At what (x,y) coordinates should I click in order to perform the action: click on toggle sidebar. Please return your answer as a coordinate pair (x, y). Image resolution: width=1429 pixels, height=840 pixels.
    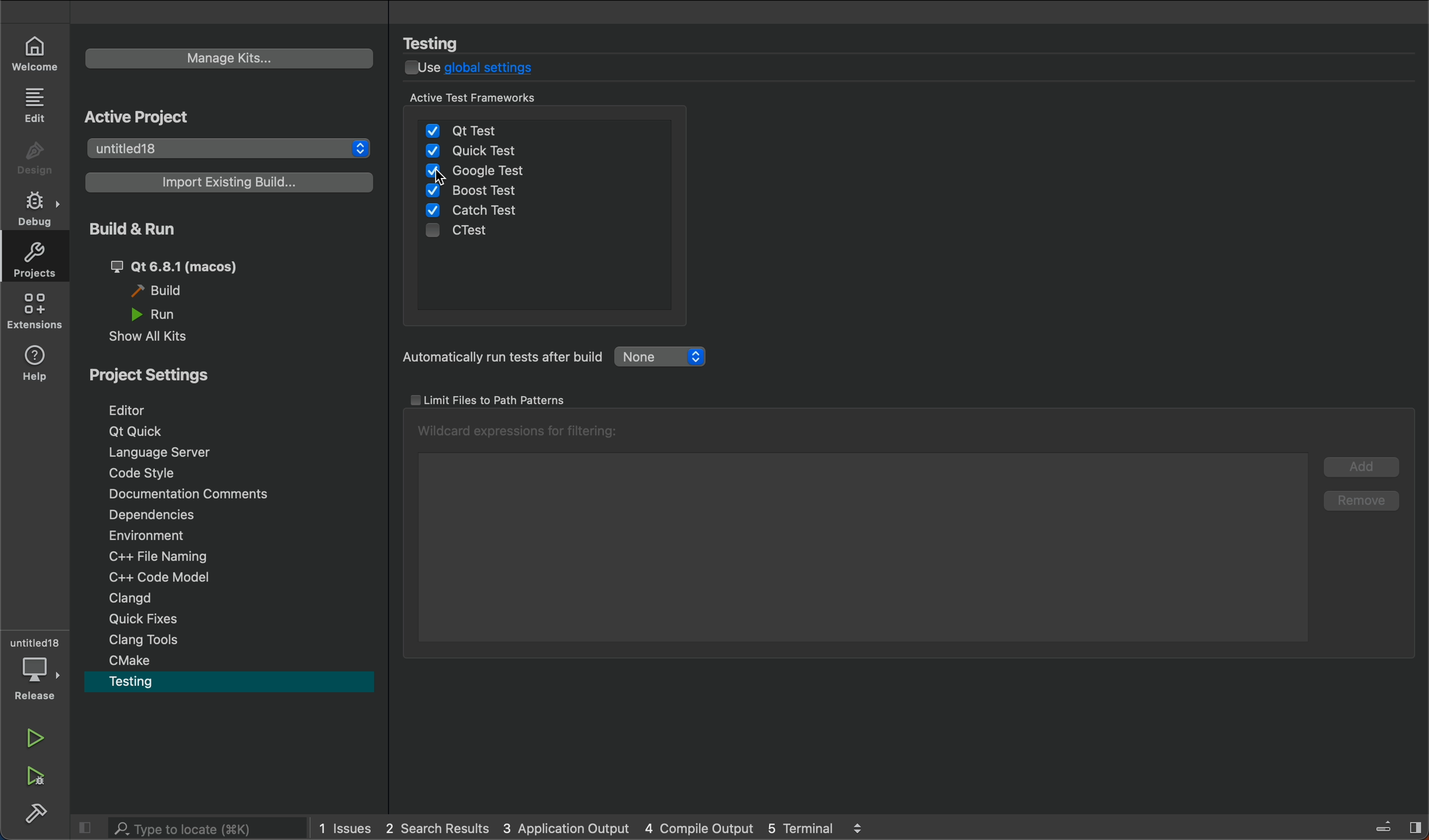
    Looking at the image, I should click on (1394, 829).